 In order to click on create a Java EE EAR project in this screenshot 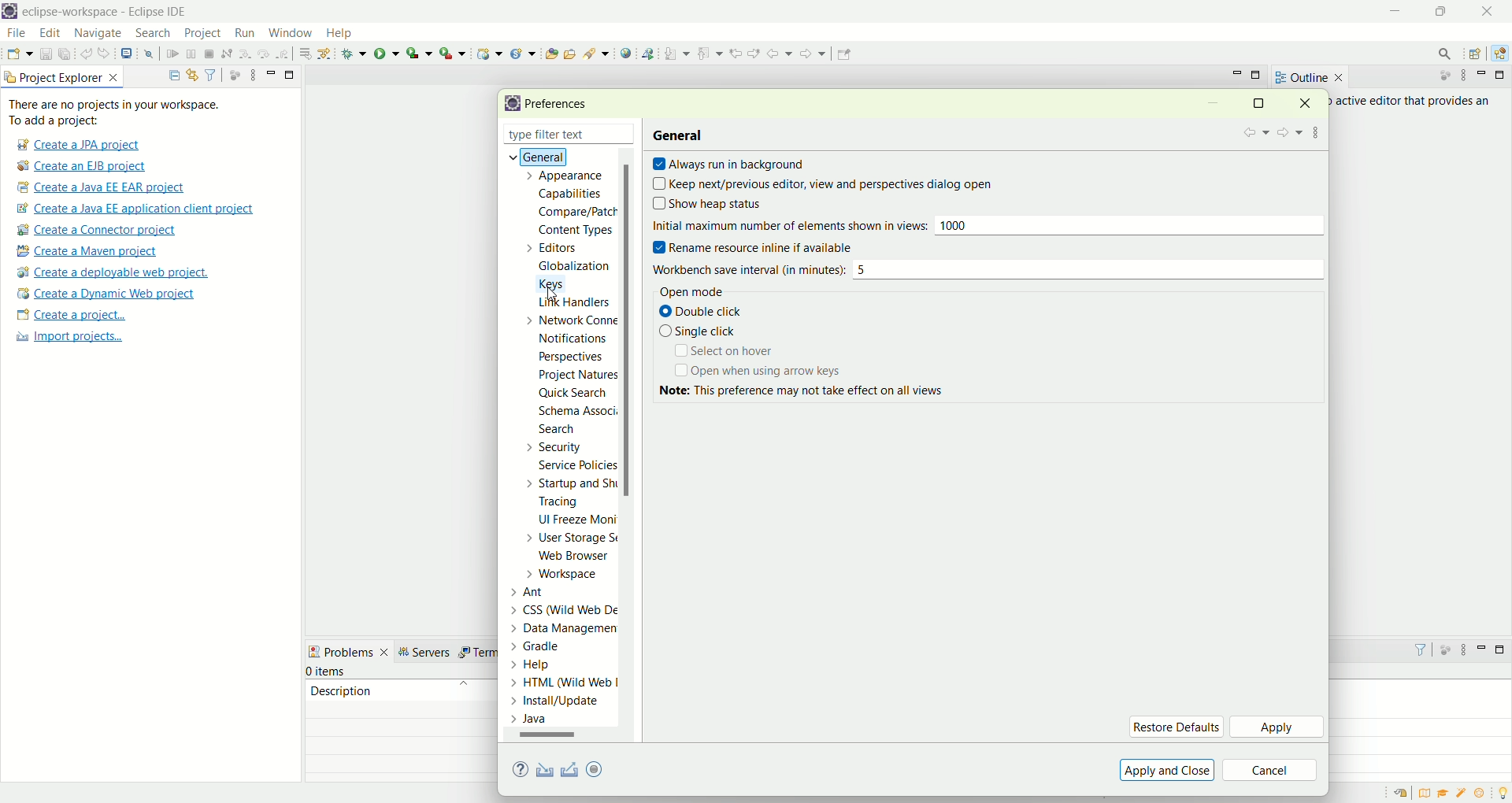, I will do `click(102, 187)`.